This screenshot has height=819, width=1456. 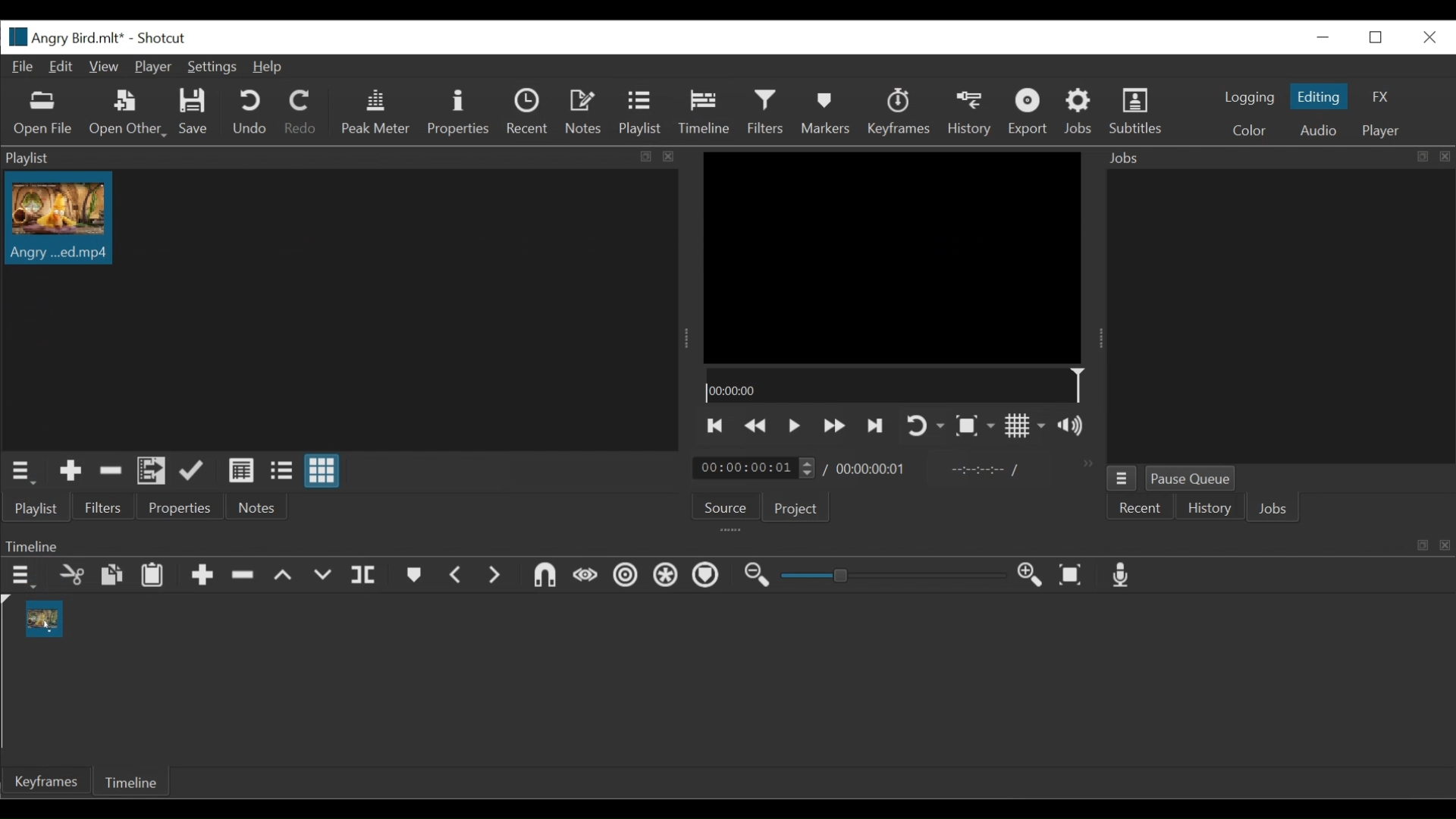 I want to click on Timeline, so click(x=706, y=113).